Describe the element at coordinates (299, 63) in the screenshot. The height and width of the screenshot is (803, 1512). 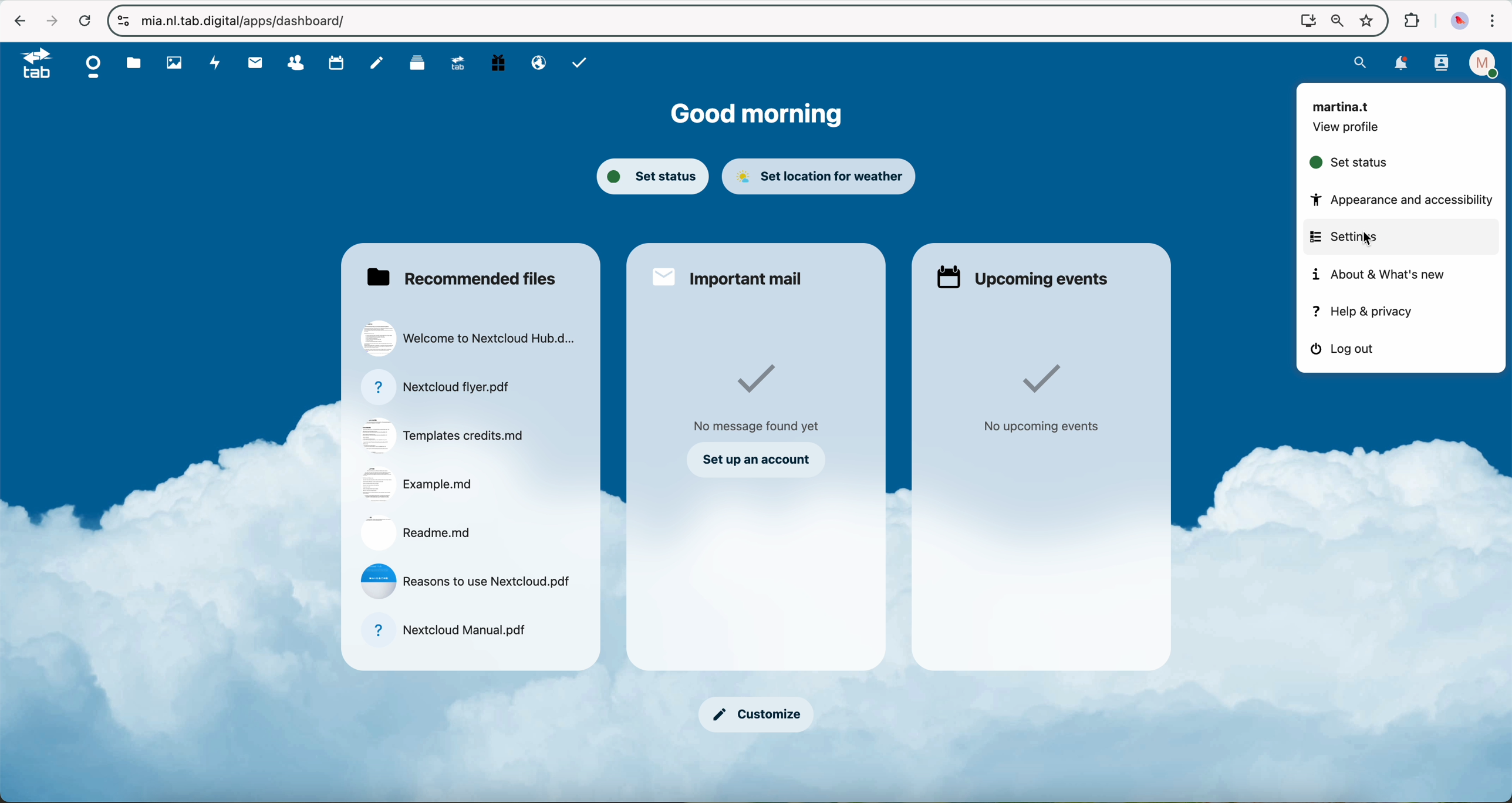
I see `contacts` at that location.